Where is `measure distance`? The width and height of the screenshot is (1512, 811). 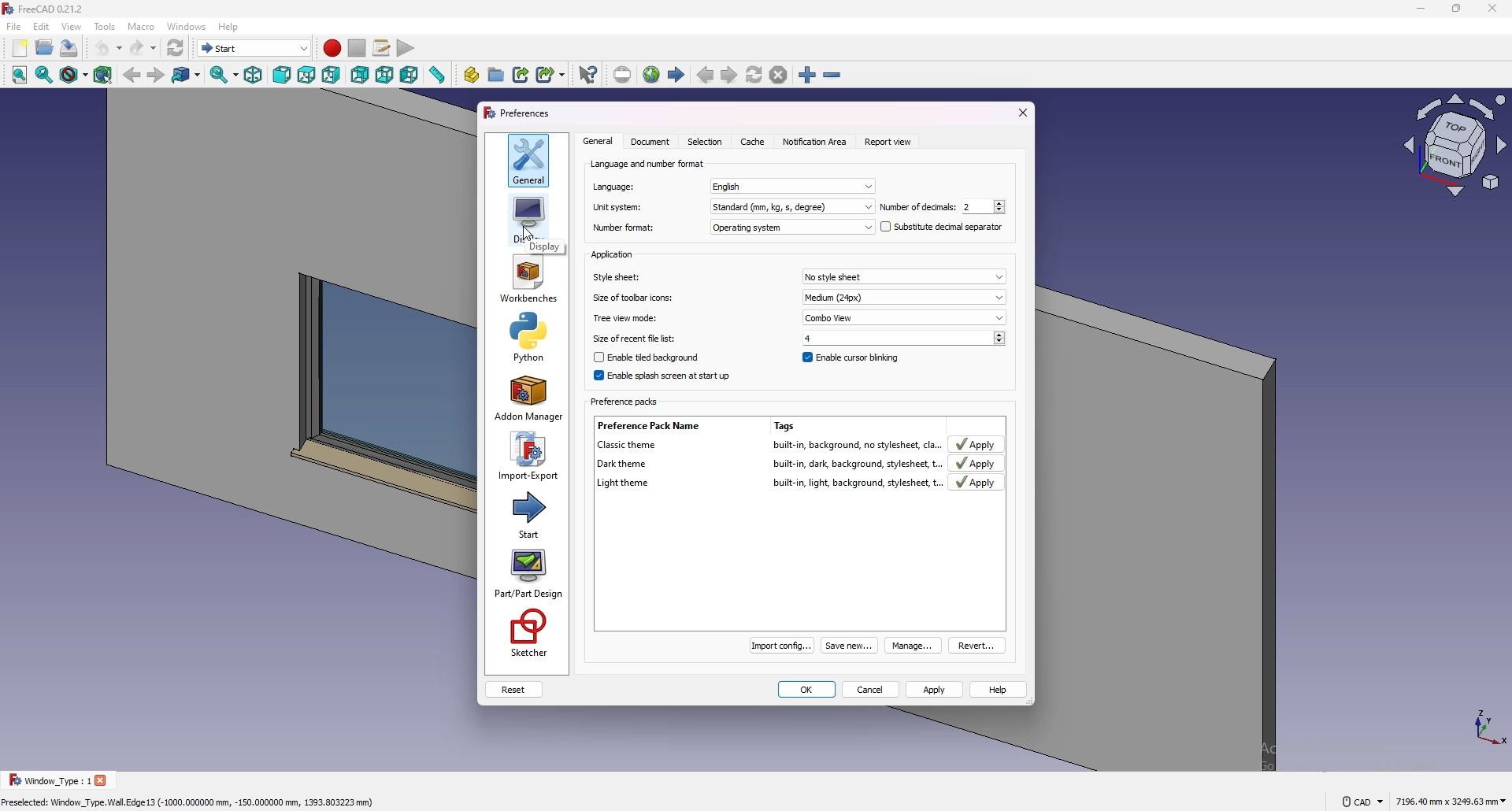
measure distance is located at coordinates (438, 75).